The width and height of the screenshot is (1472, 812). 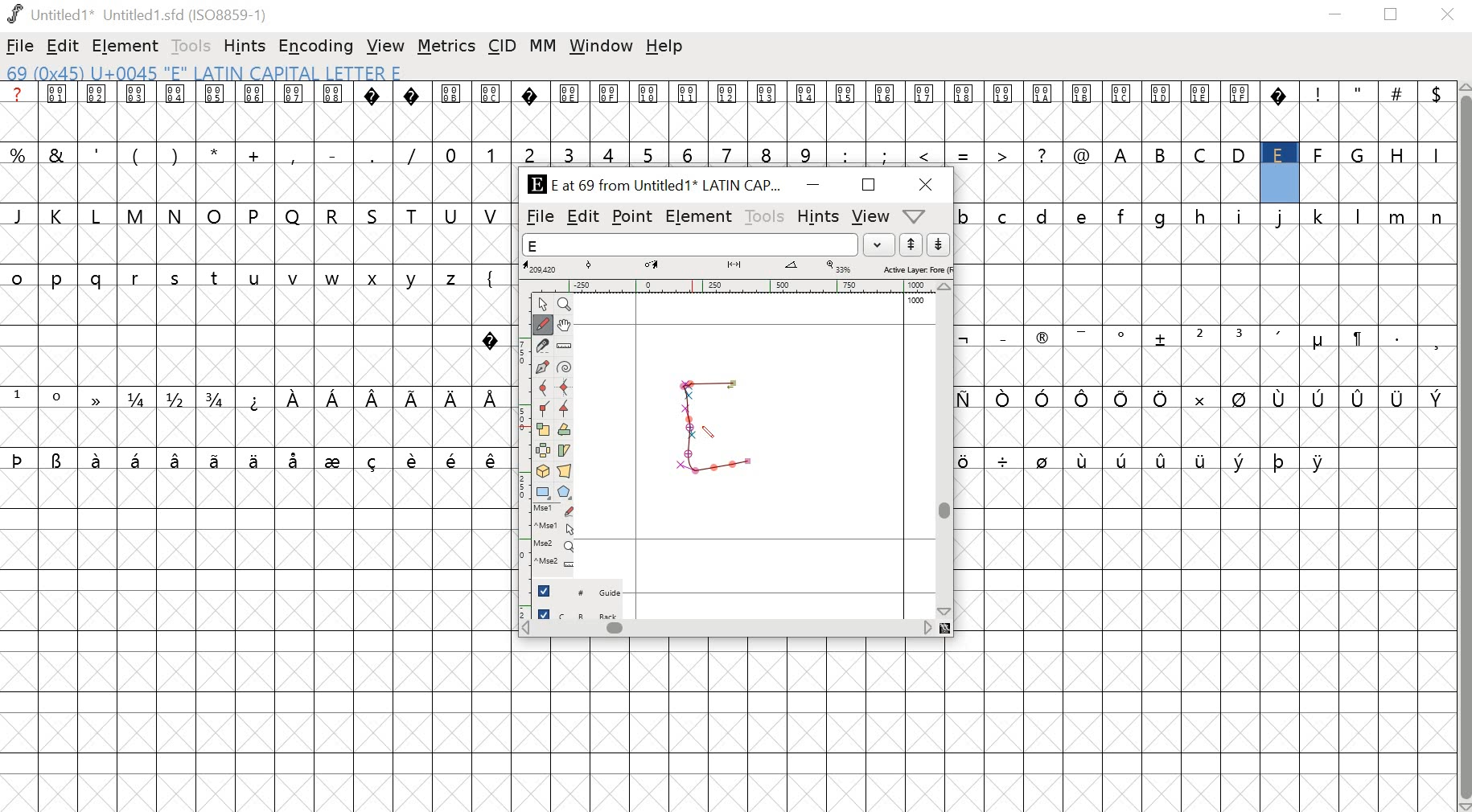 What do you see at coordinates (726, 93) in the screenshot?
I see `special characters and symbols` at bounding box center [726, 93].